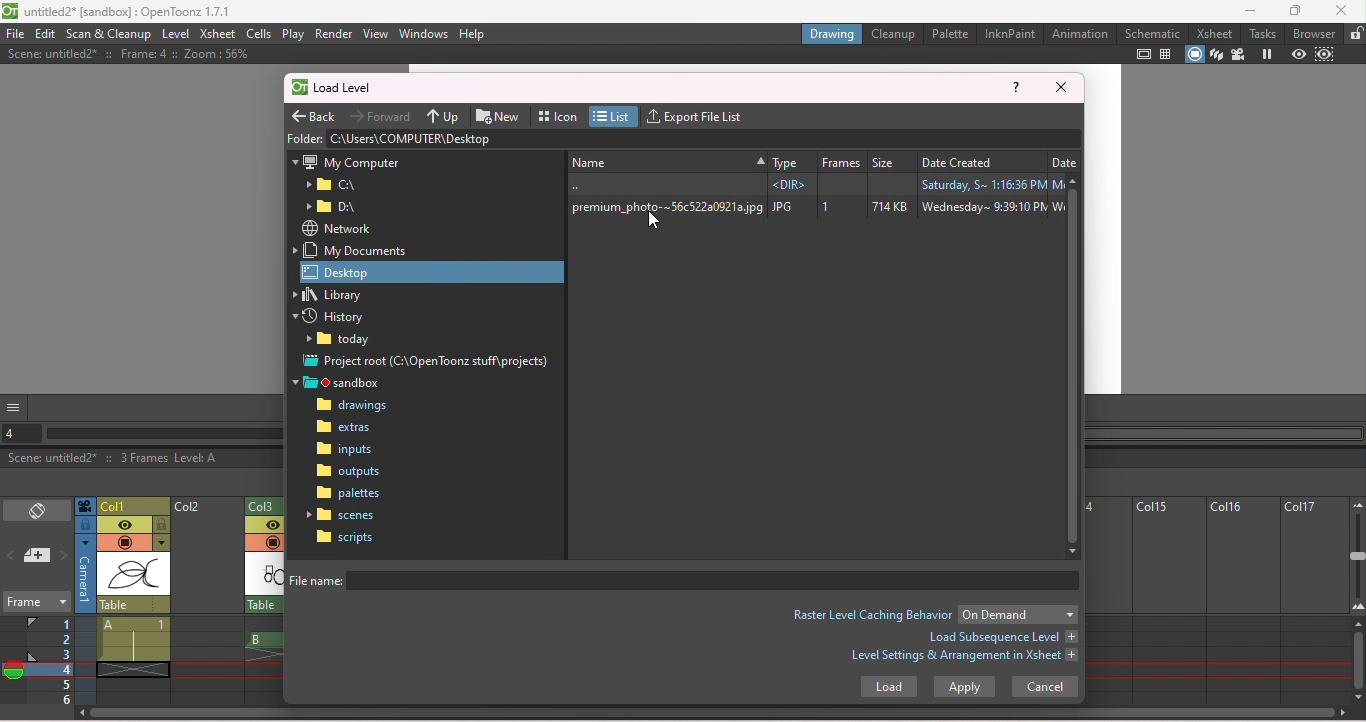 This screenshot has height=722, width=1366. Describe the element at coordinates (703, 138) in the screenshot. I see `address bar` at that location.